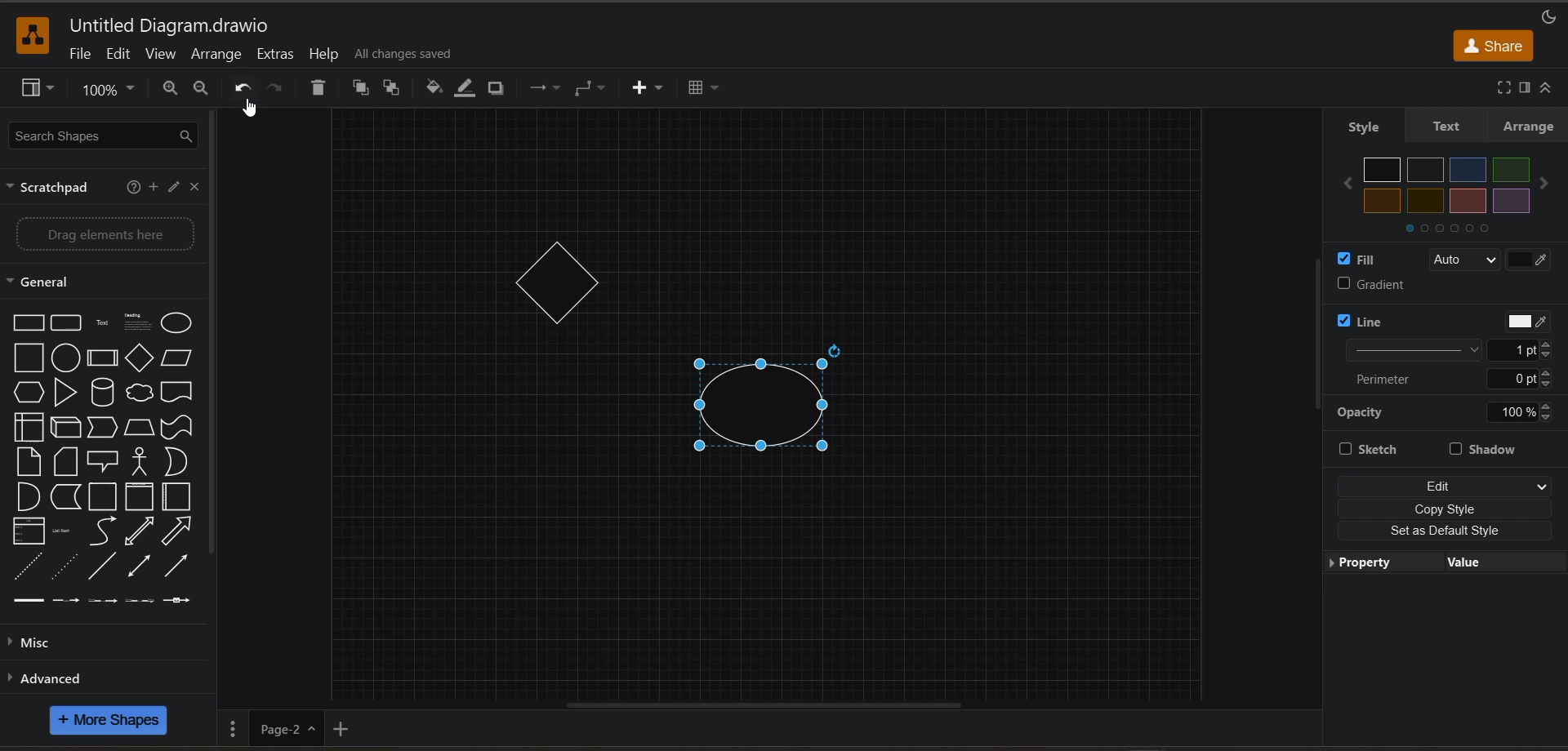 The height and width of the screenshot is (751, 1568). What do you see at coordinates (1549, 18) in the screenshot?
I see `appearance` at bounding box center [1549, 18].